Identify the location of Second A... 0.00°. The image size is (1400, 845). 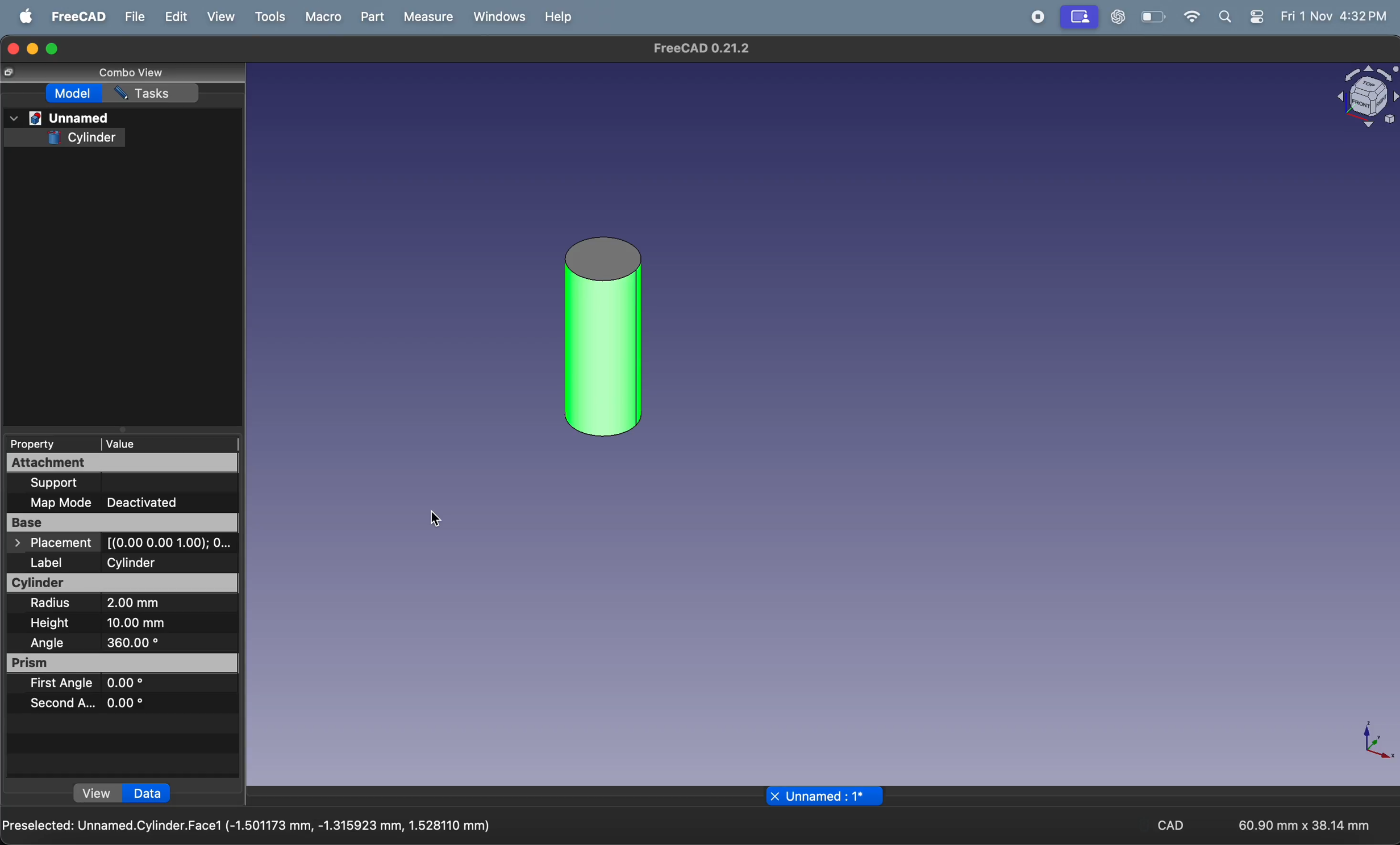
(86, 702).